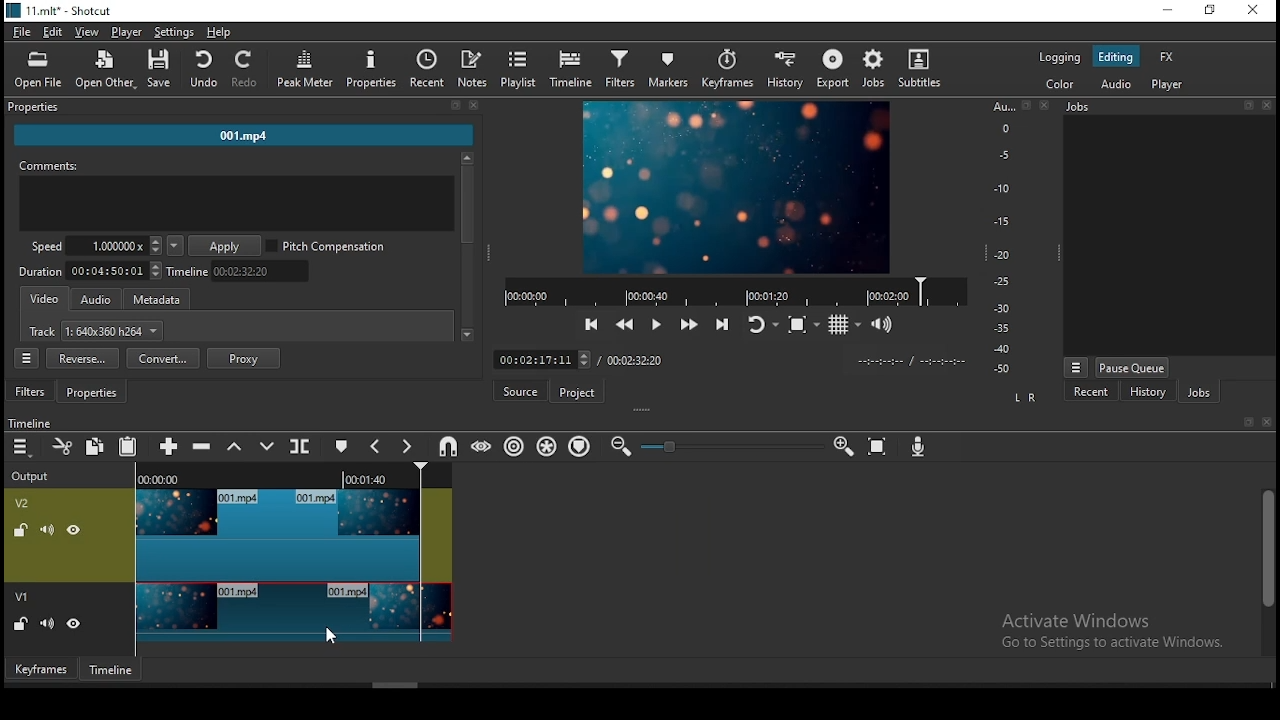 The image size is (1280, 720). What do you see at coordinates (1199, 392) in the screenshot?
I see `jobs` at bounding box center [1199, 392].